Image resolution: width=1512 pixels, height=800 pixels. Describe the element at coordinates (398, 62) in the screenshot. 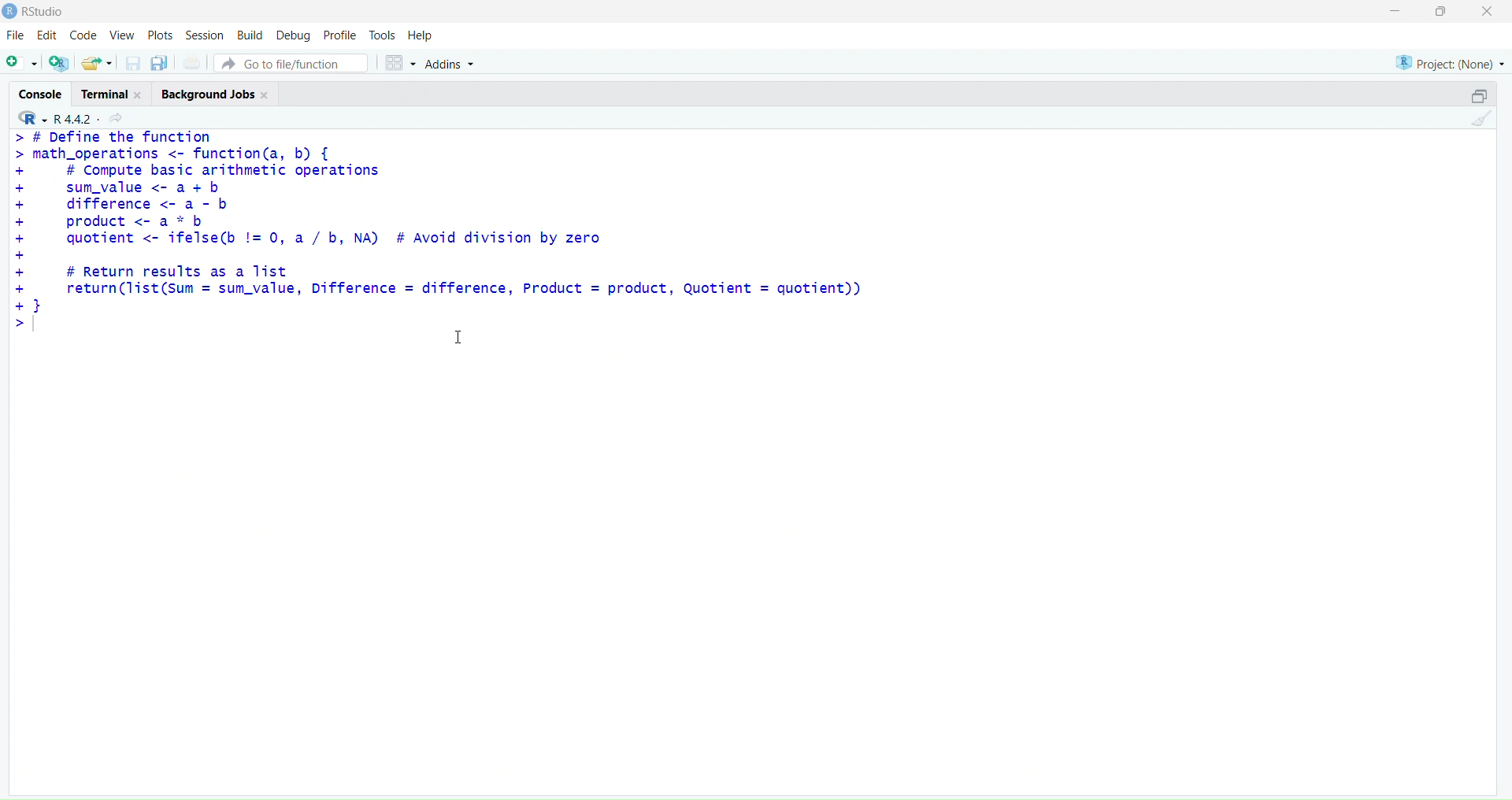

I see `Workspace panes` at that location.